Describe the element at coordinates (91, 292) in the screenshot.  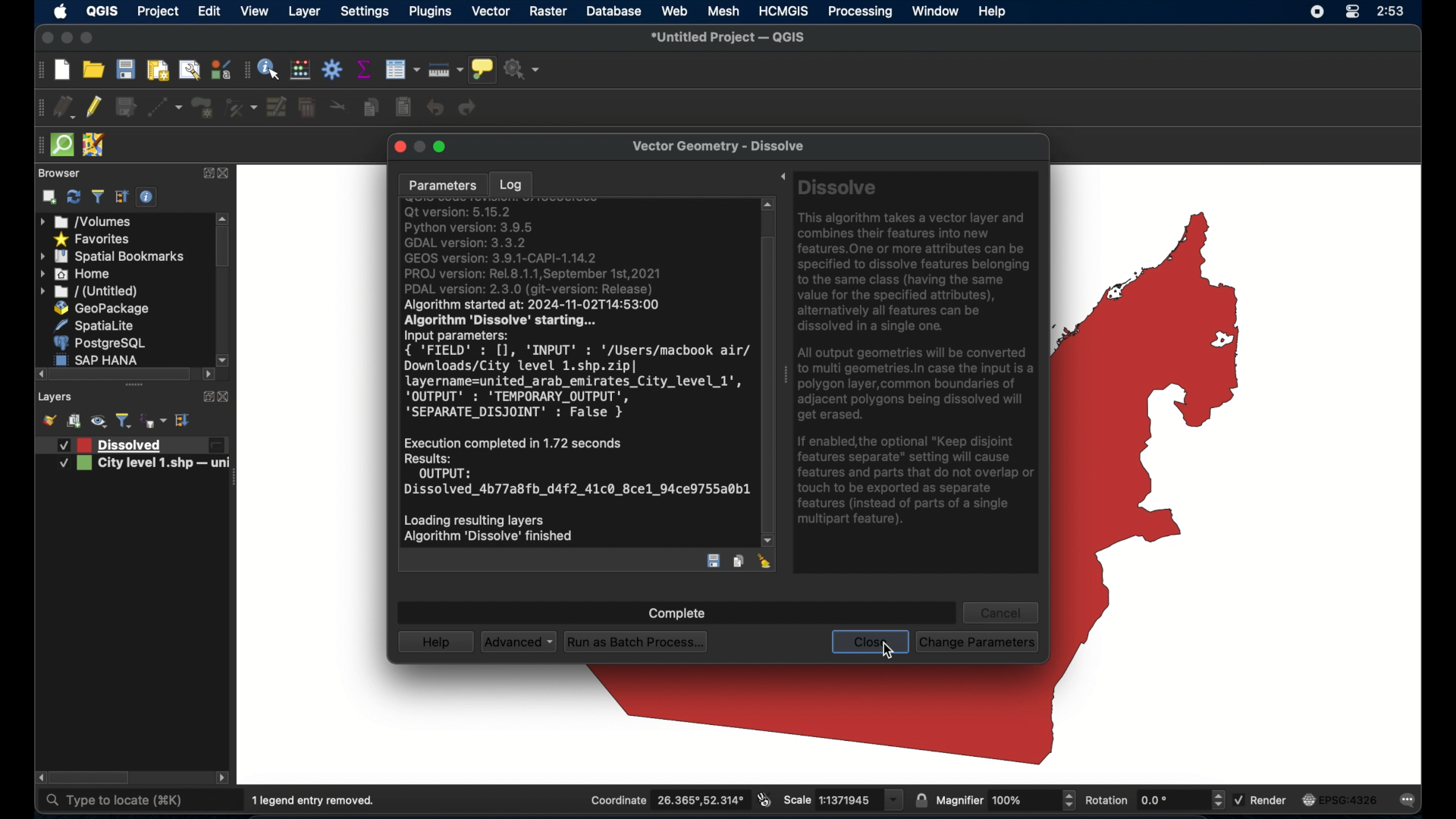
I see `untitled folder` at that location.